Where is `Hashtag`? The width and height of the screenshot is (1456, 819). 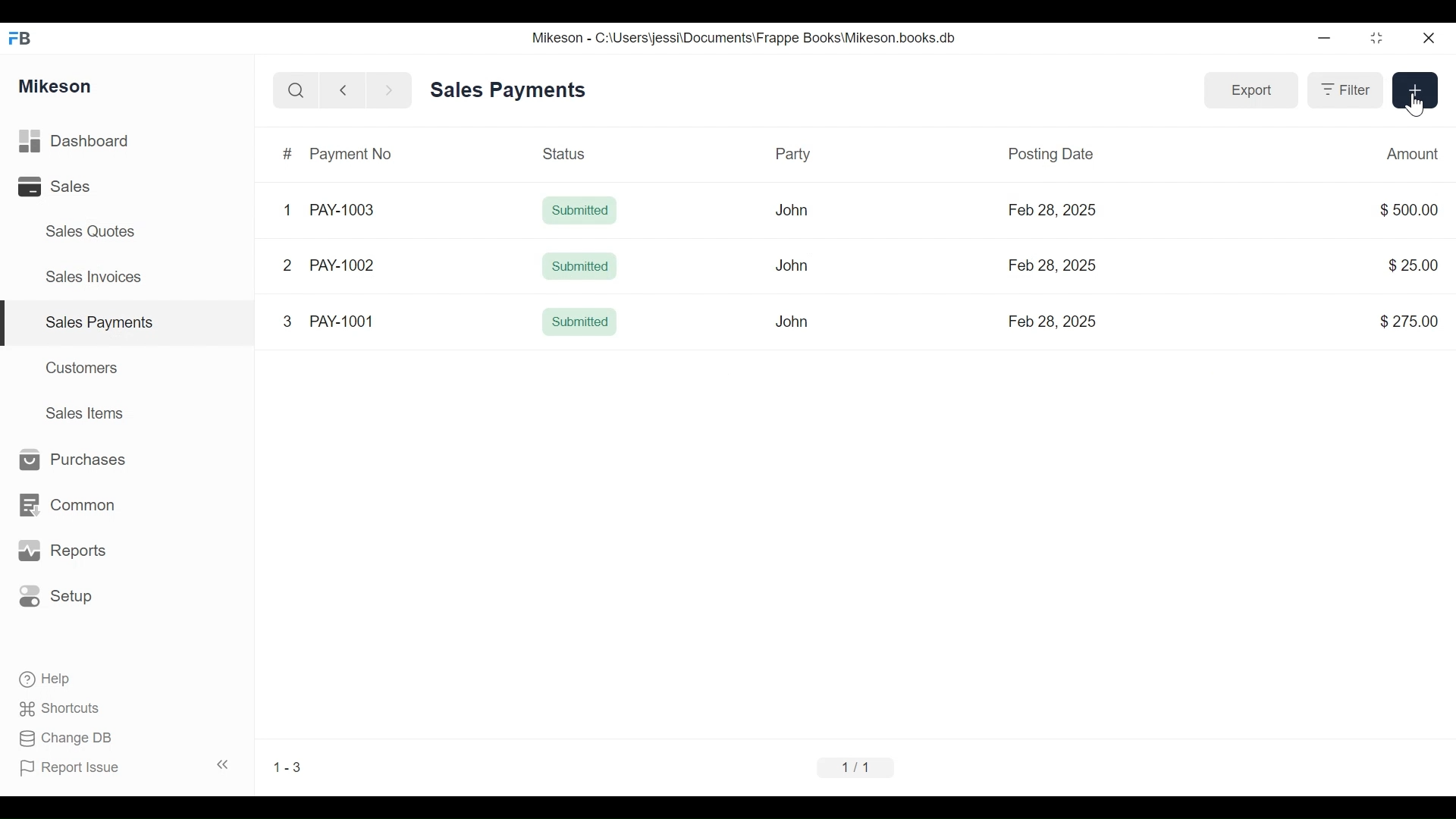 Hashtag is located at coordinates (287, 153).